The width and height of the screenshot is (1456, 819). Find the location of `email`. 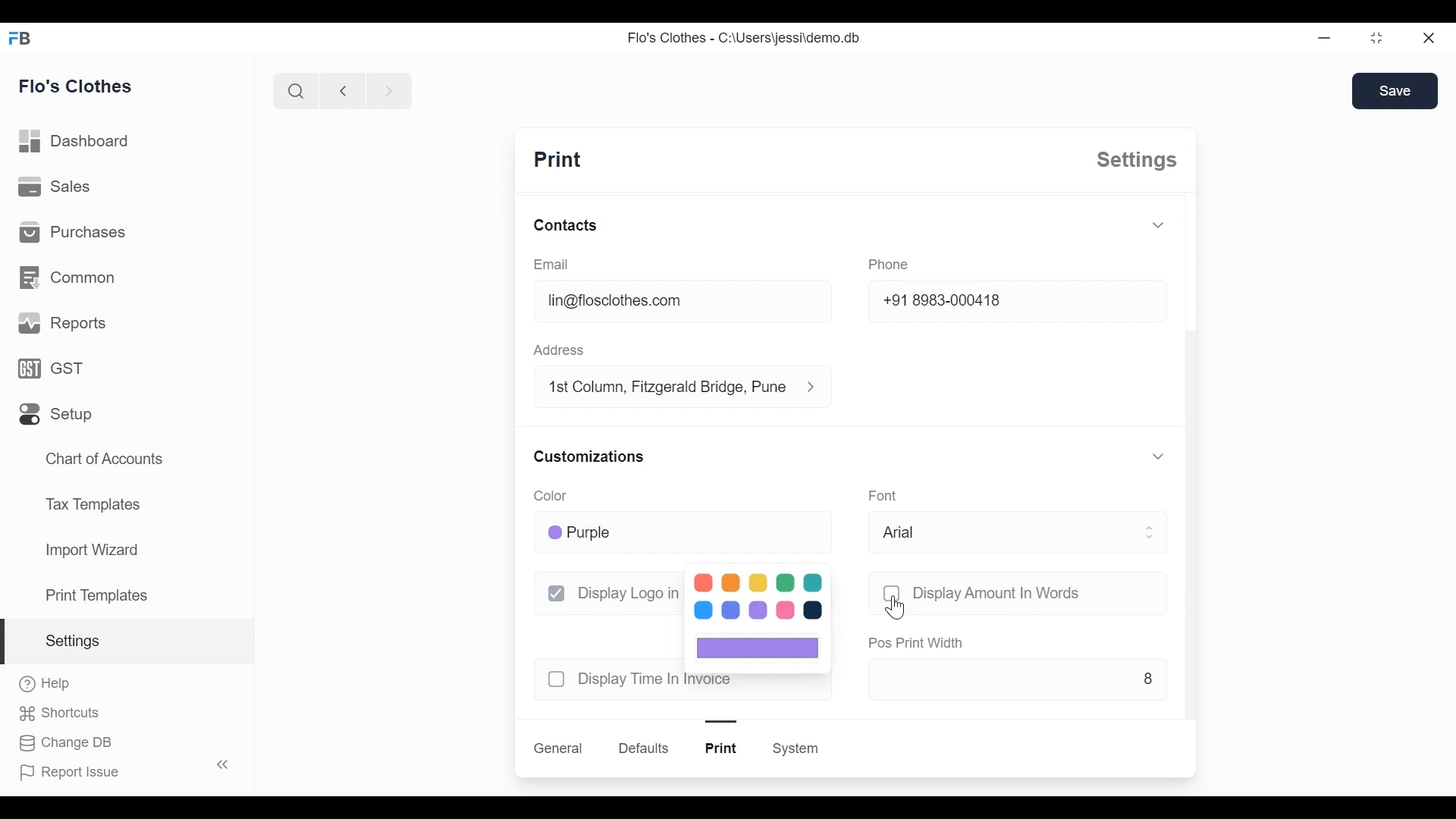

email is located at coordinates (553, 264).